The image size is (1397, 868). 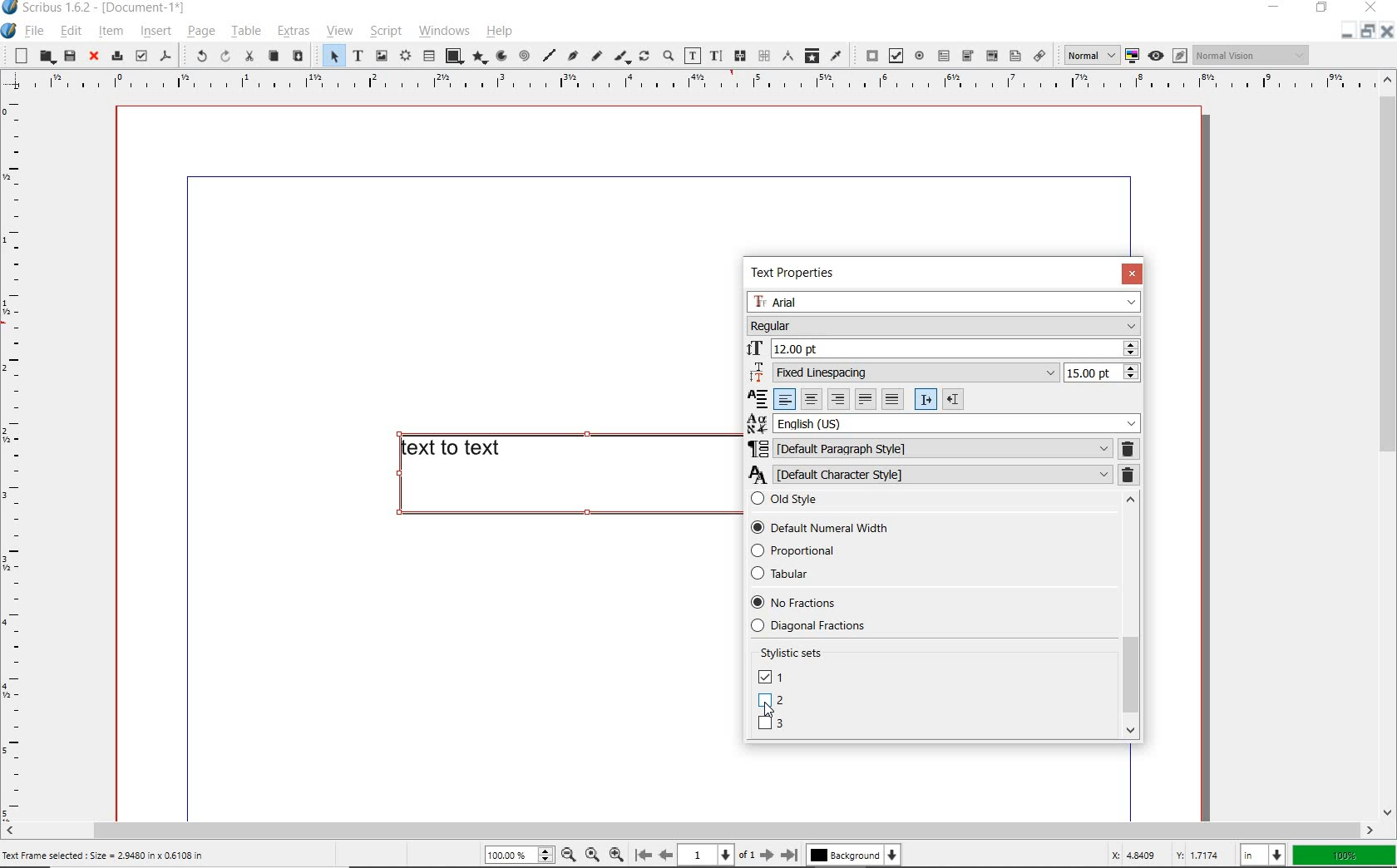 I want to click on edit, so click(x=71, y=31).